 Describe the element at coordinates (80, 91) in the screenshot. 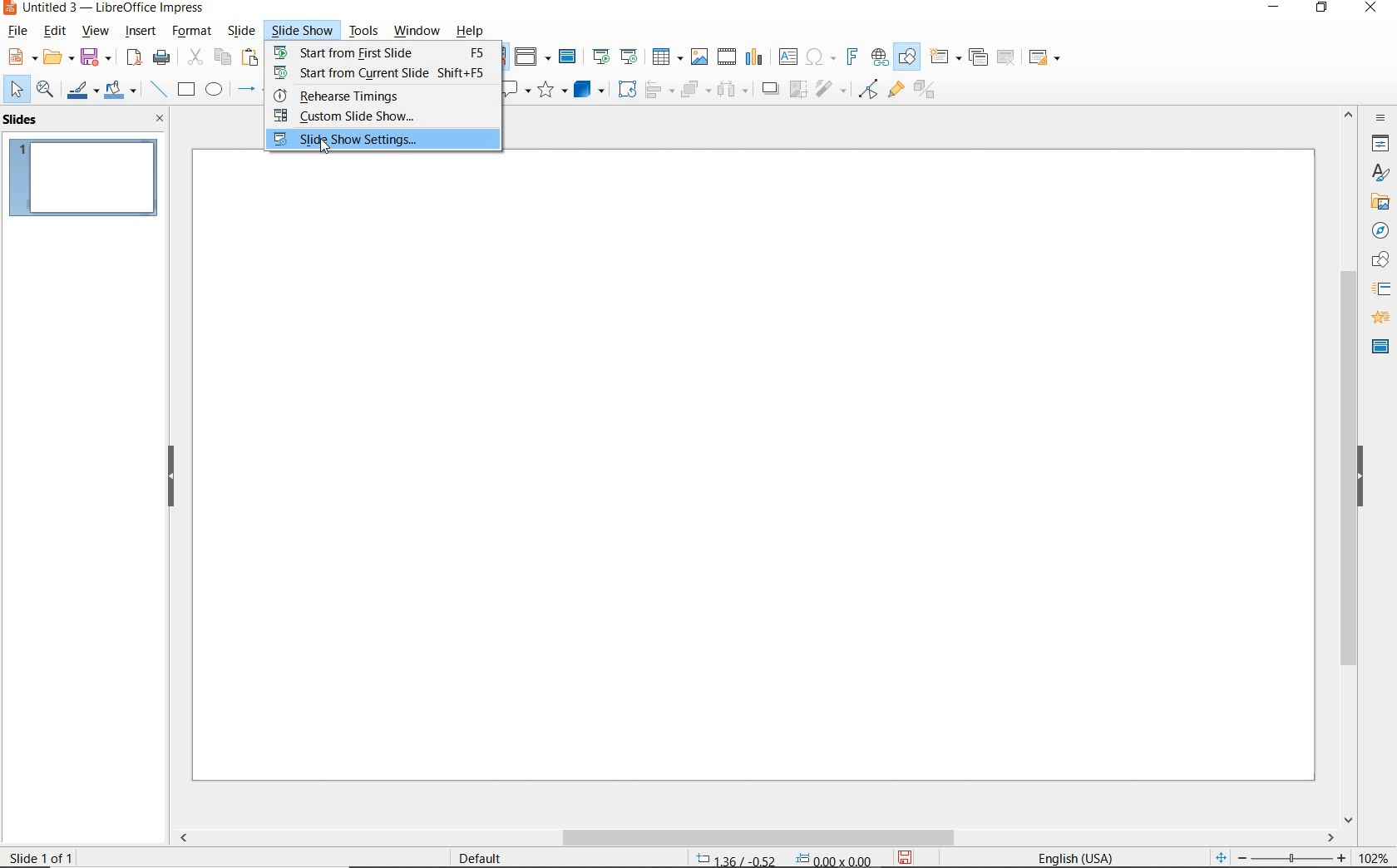

I see `LINE COLOR` at that location.